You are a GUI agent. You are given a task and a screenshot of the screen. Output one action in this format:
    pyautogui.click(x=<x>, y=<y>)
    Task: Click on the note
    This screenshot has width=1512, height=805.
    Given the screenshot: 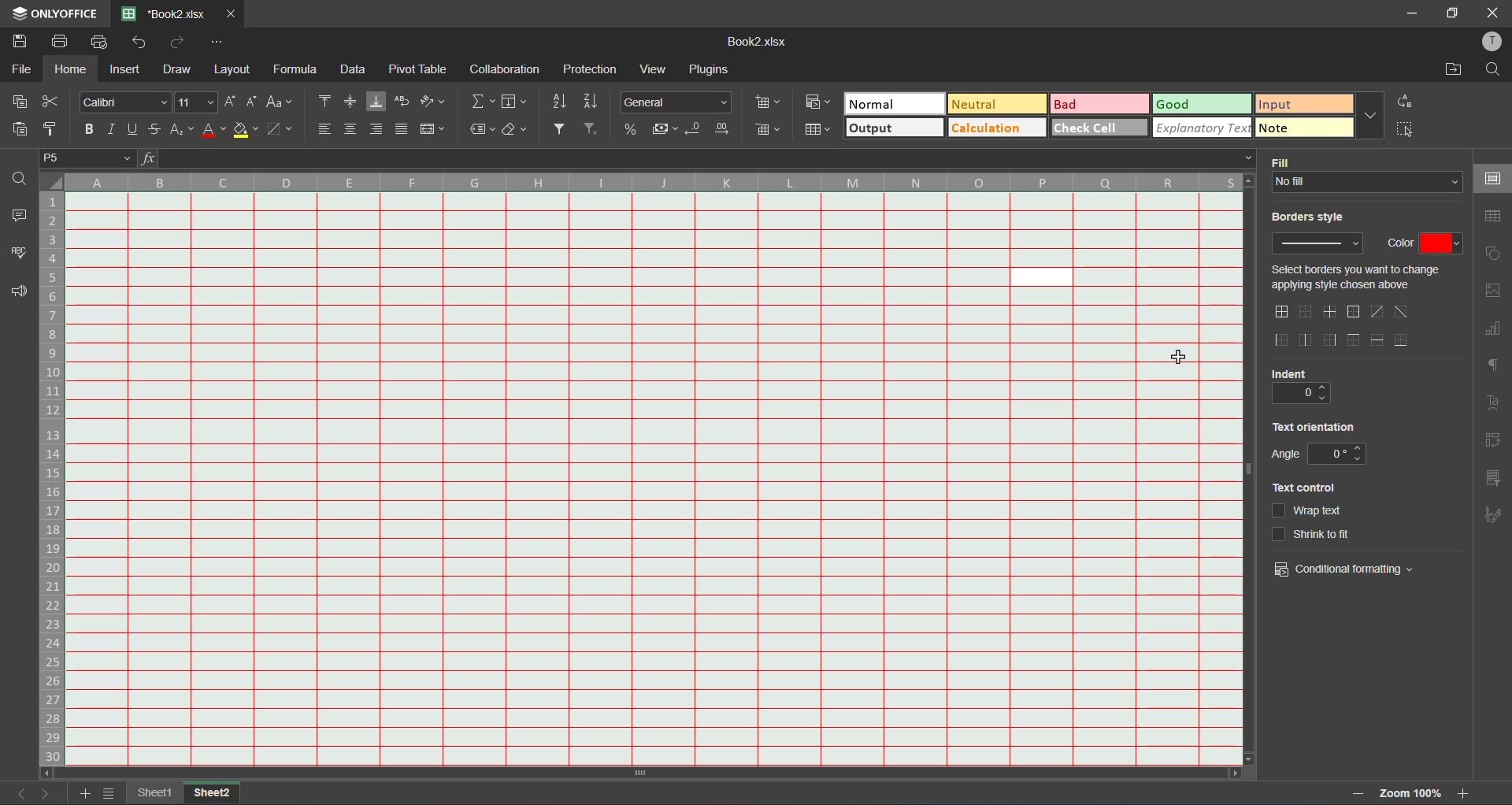 What is the action you would take?
    pyautogui.click(x=1303, y=128)
    